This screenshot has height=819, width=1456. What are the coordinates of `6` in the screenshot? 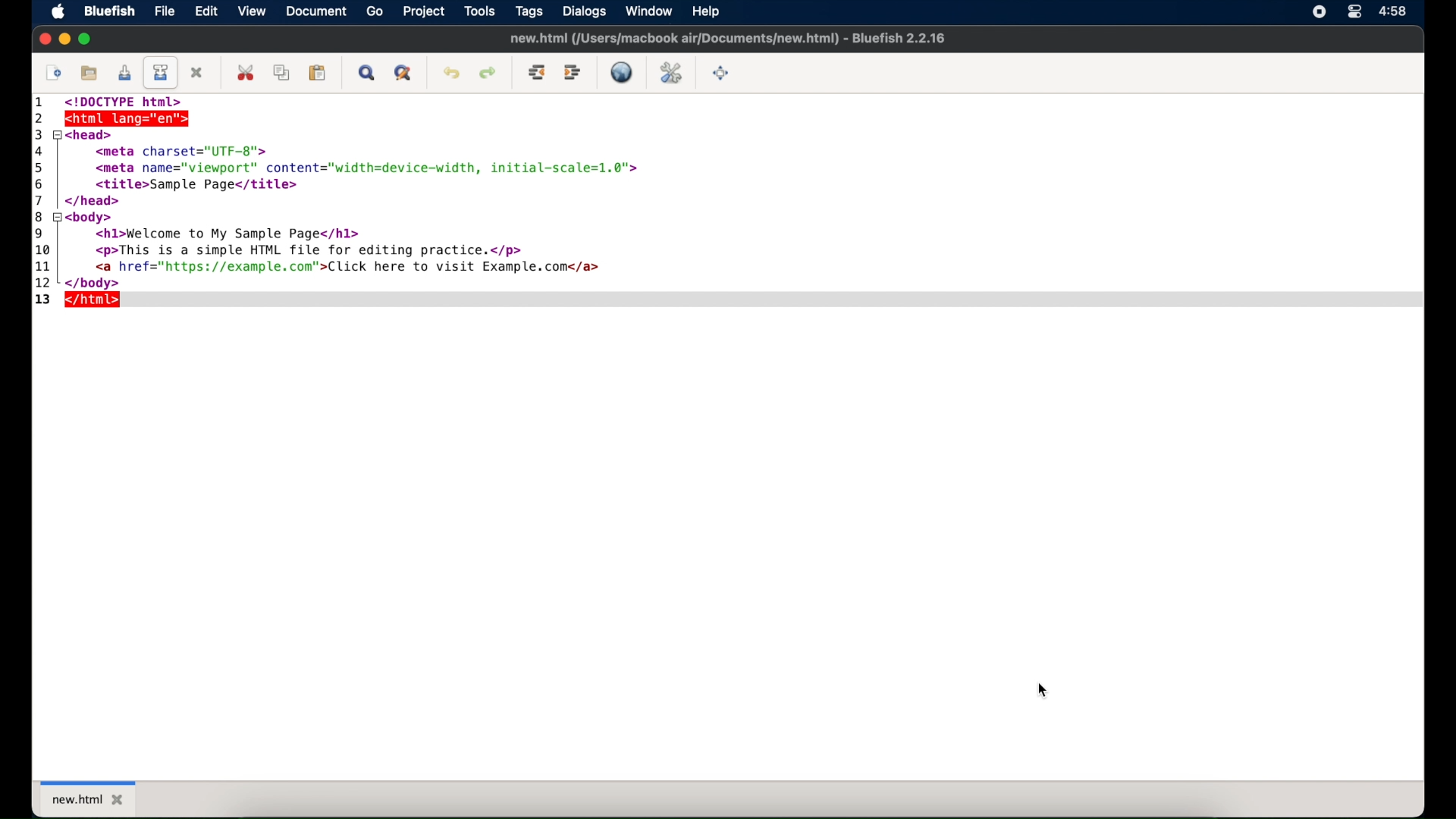 It's located at (42, 183).